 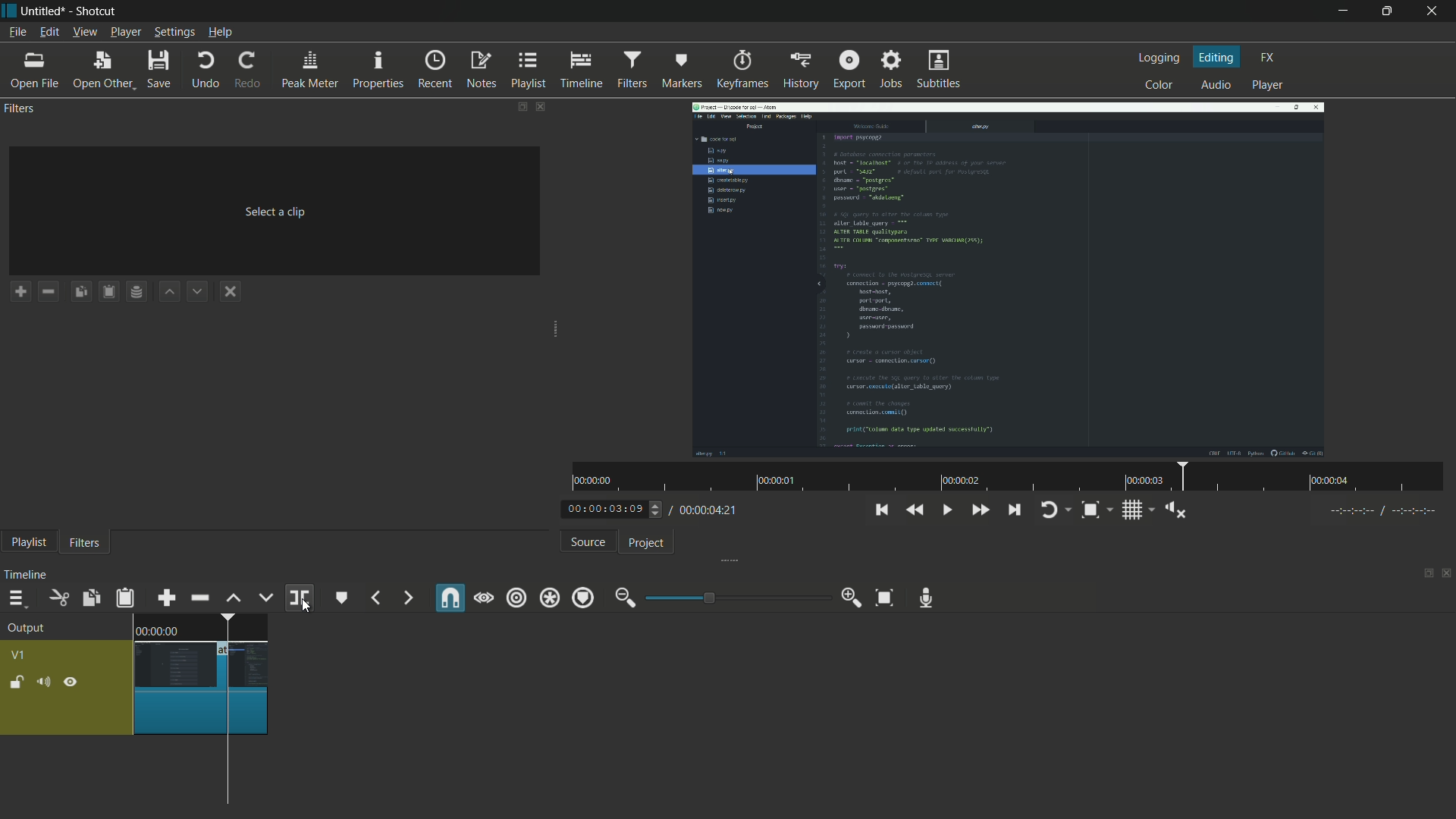 I want to click on remove filter, so click(x=49, y=291).